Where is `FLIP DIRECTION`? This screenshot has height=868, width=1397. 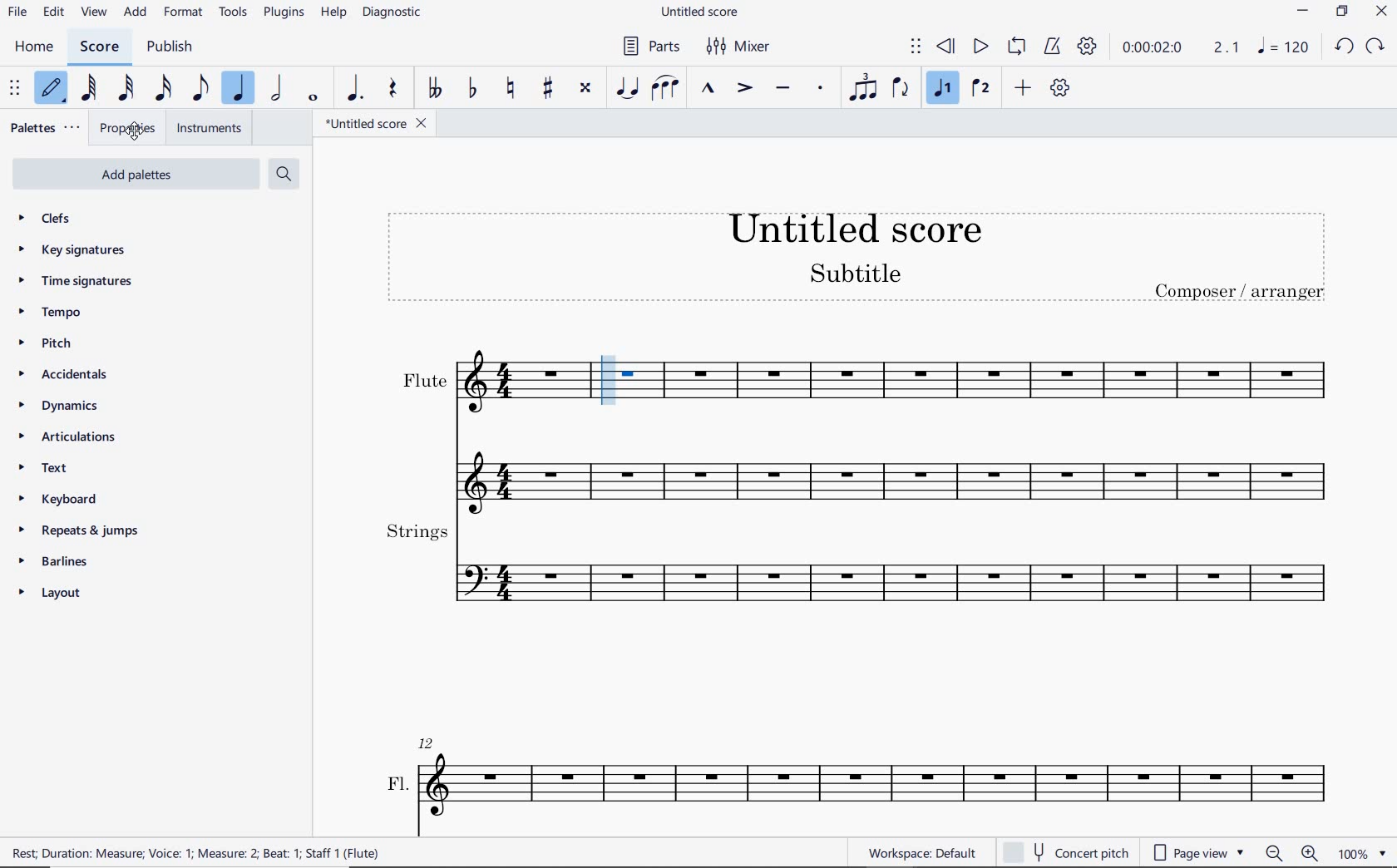
FLIP DIRECTION is located at coordinates (901, 90).